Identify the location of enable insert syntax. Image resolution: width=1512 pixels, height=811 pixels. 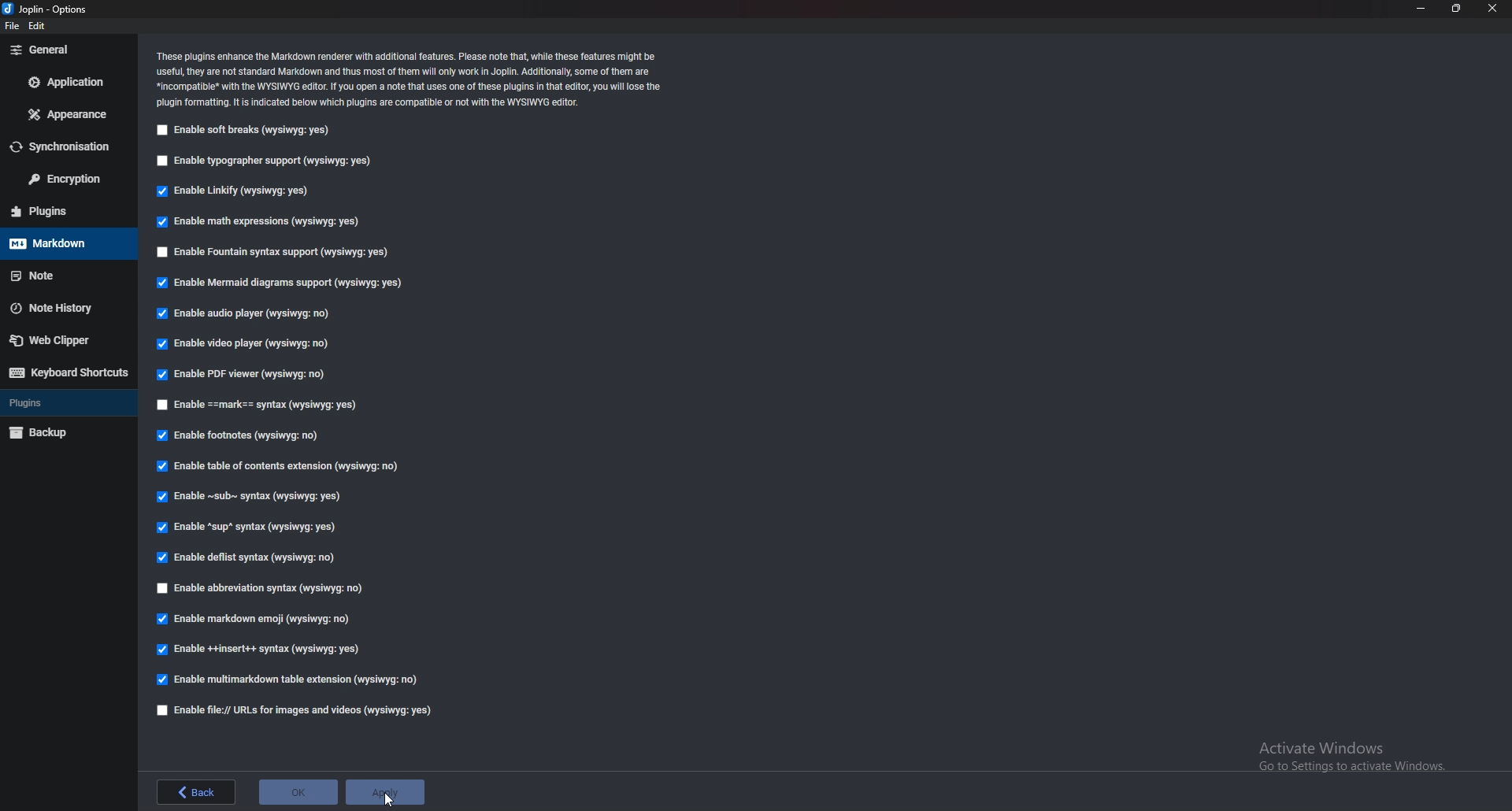
(259, 650).